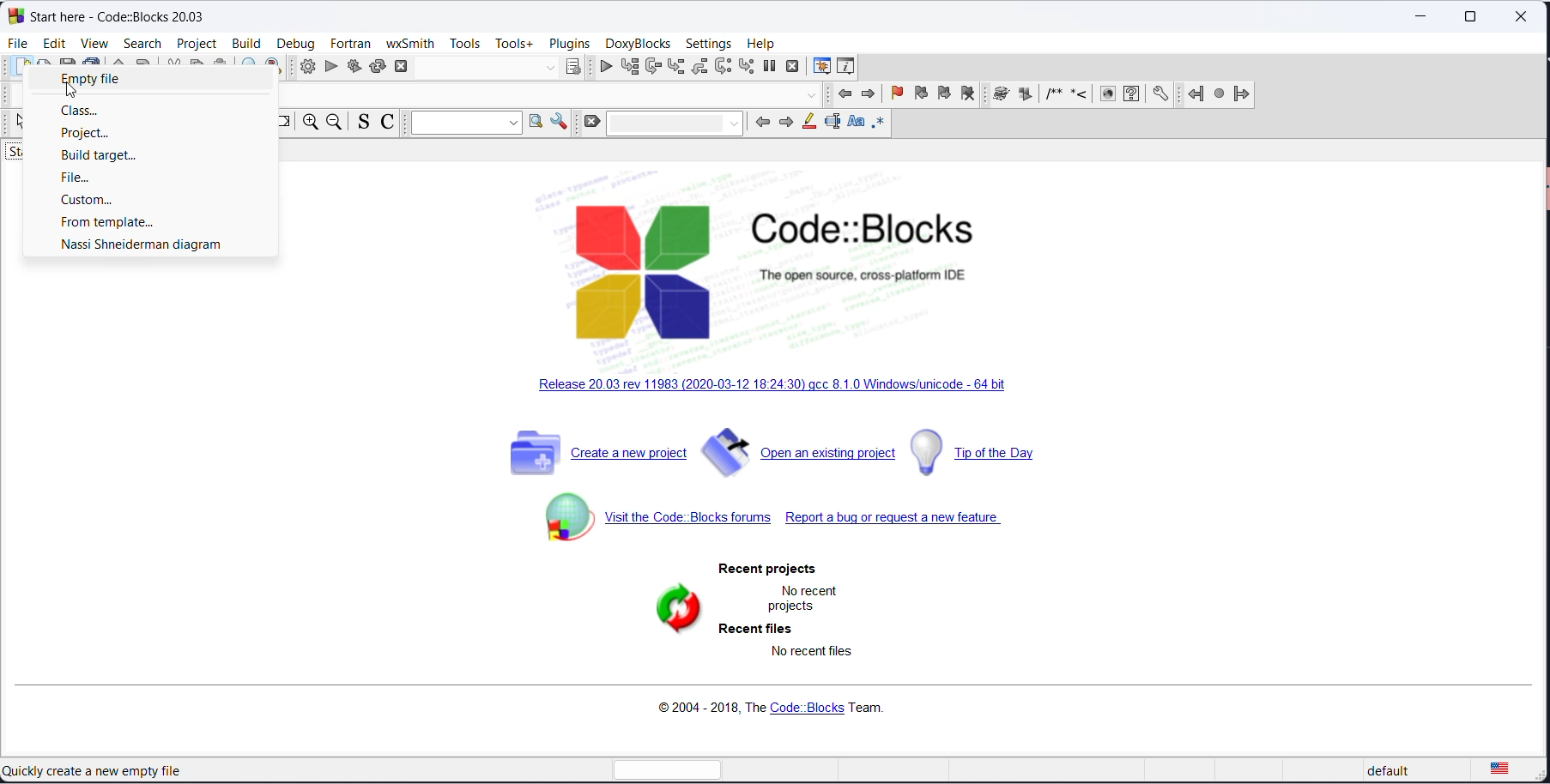 The image size is (1550, 784). What do you see at coordinates (765, 124) in the screenshot?
I see `previous` at bounding box center [765, 124].